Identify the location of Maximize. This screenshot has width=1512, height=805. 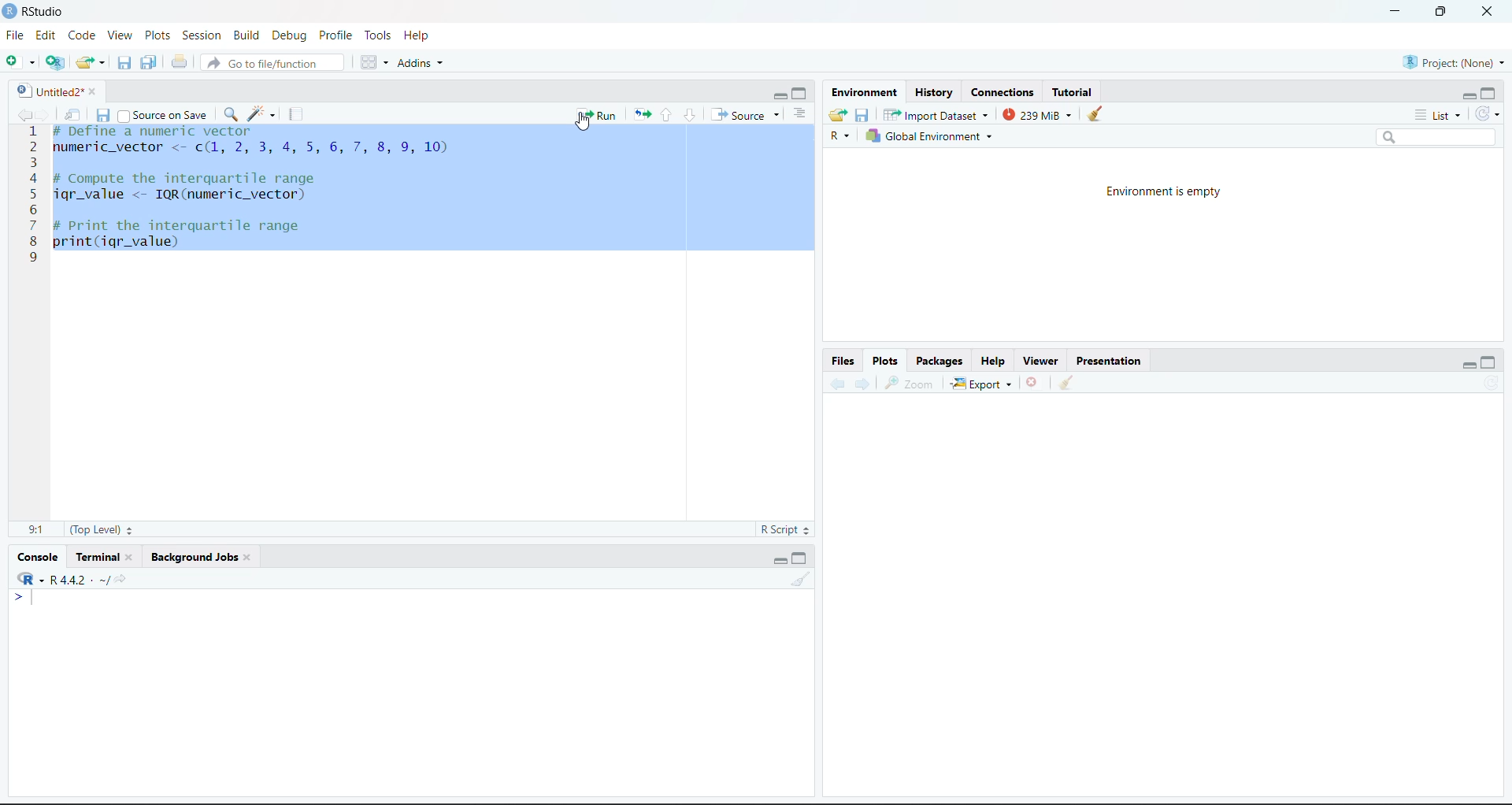
(802, 91).